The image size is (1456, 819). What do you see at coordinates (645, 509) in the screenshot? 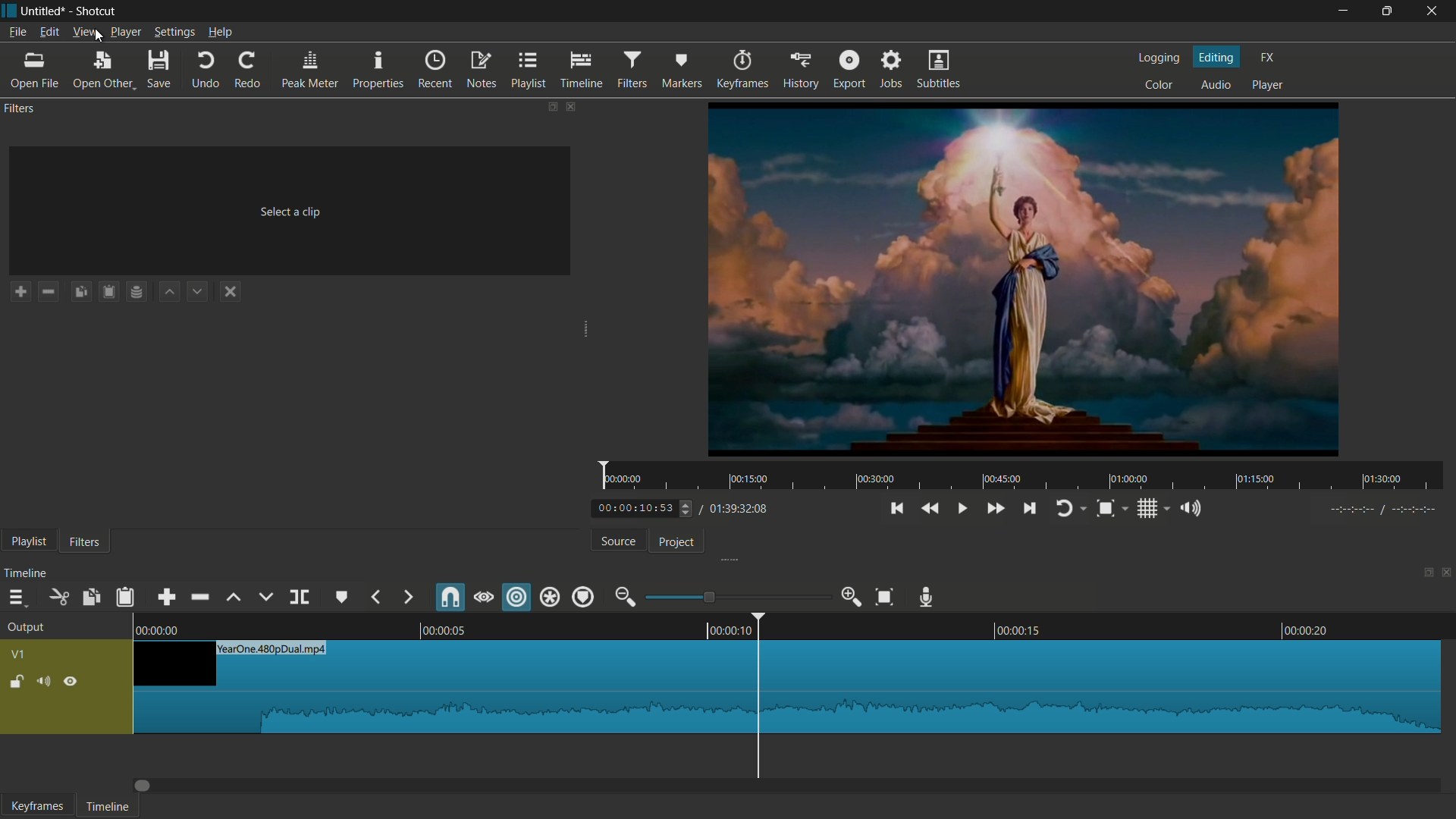
I see `current time` at bounding box center [645, 509].